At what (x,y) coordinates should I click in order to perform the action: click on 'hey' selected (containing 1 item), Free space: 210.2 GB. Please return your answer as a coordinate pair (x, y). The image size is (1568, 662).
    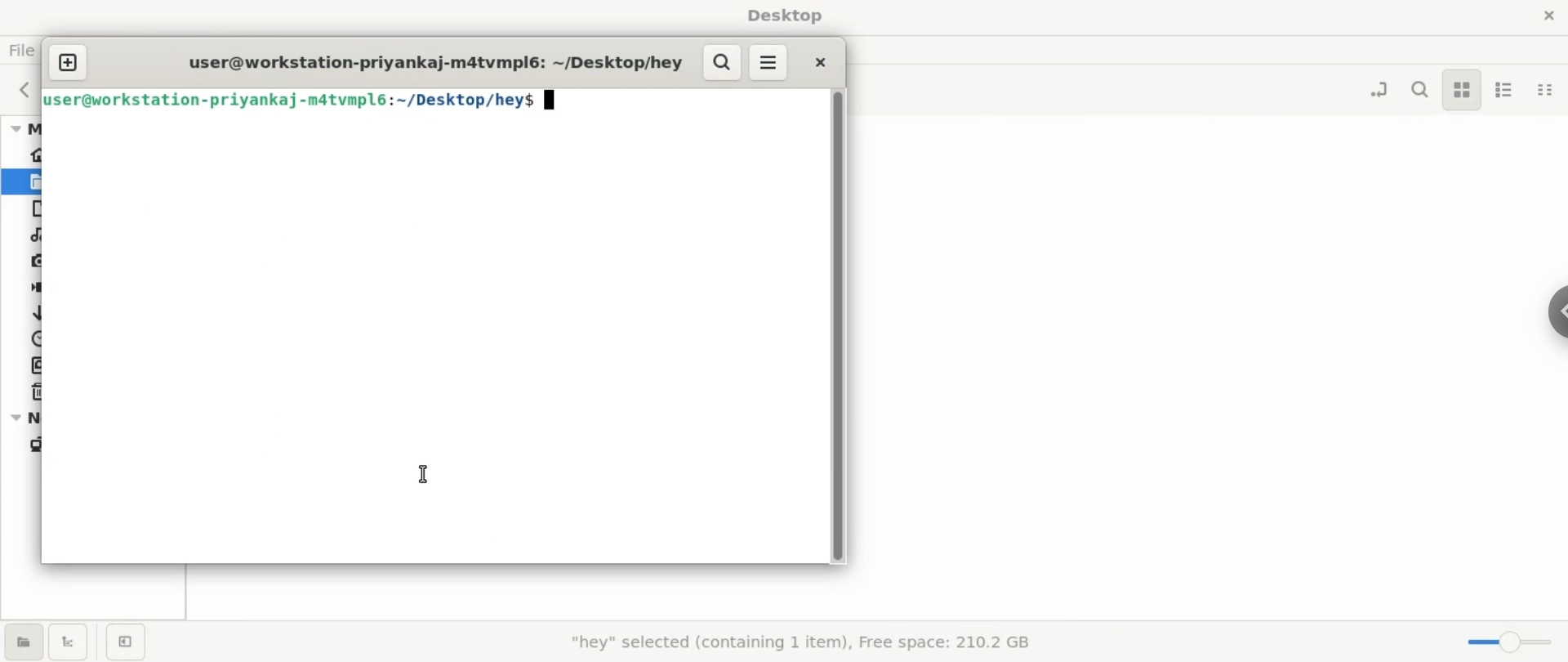
    Looking at the image, I should click on (799, 642).